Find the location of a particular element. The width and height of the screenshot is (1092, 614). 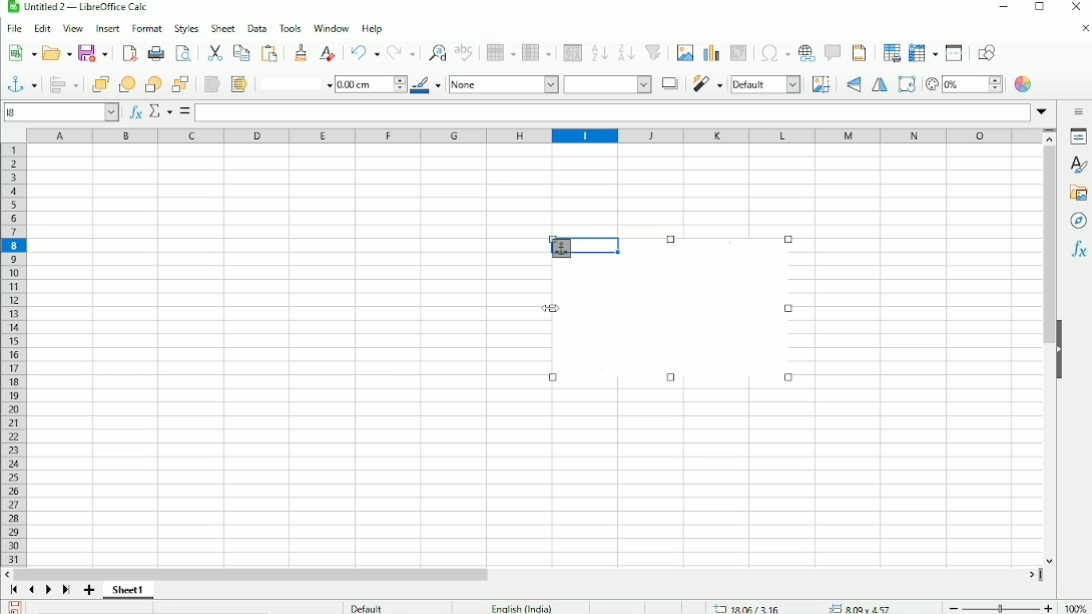

Column headings is located at coordinates (535, 136).